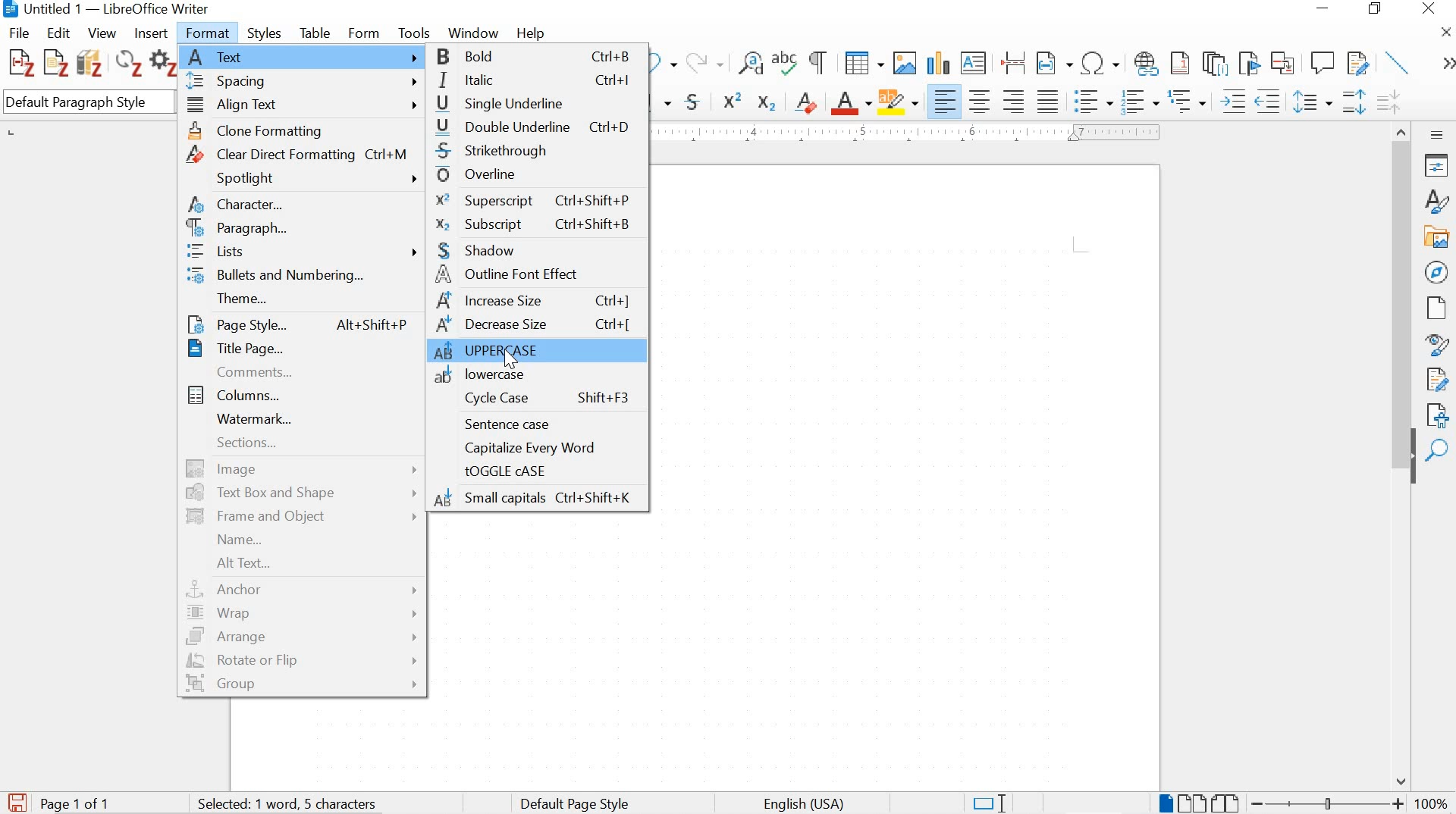  Describe the element at coordinates (974, 64) in the screenshot. I see `insert text box` at that location.